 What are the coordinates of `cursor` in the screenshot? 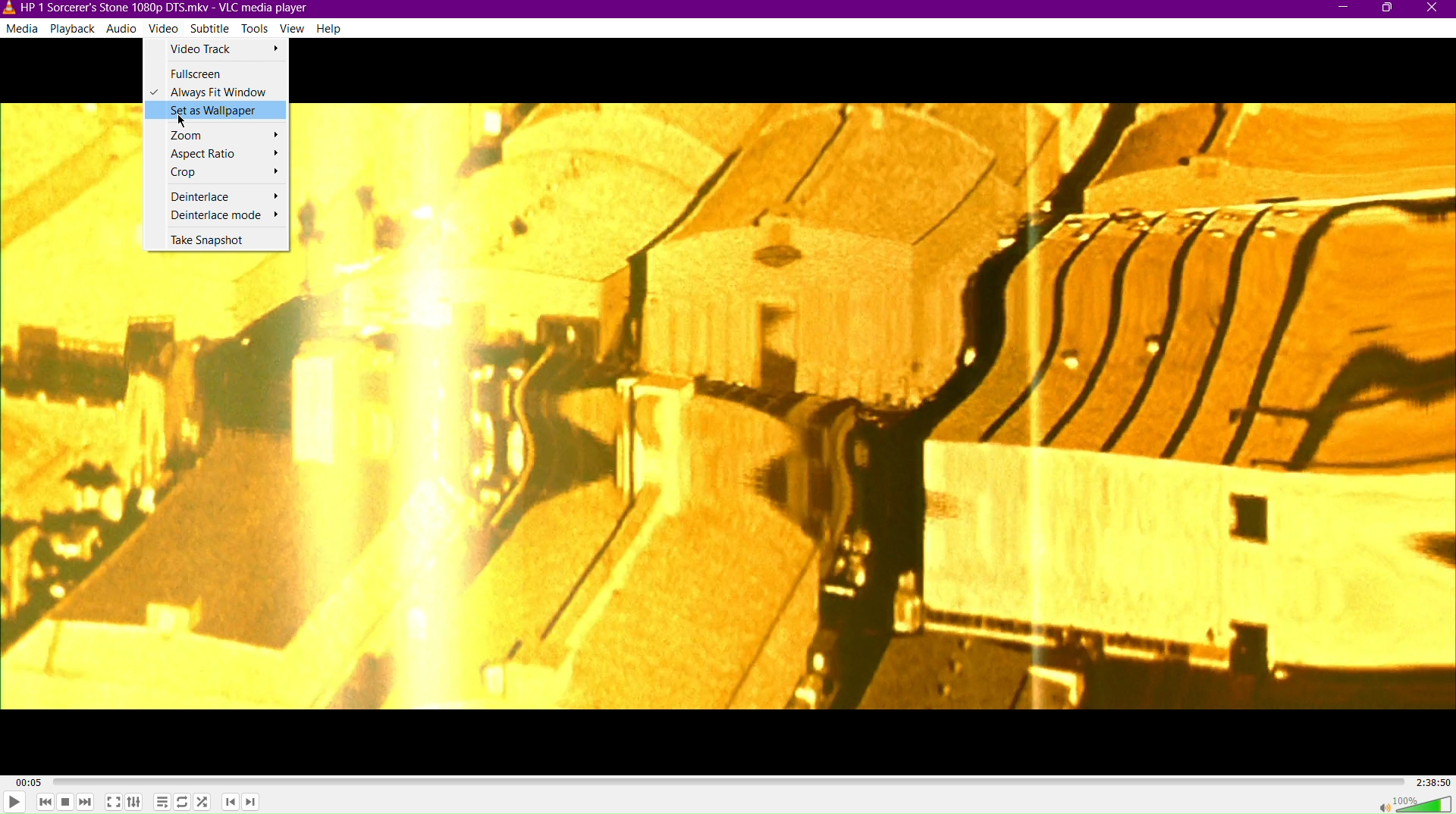 It's located at (184, 121).